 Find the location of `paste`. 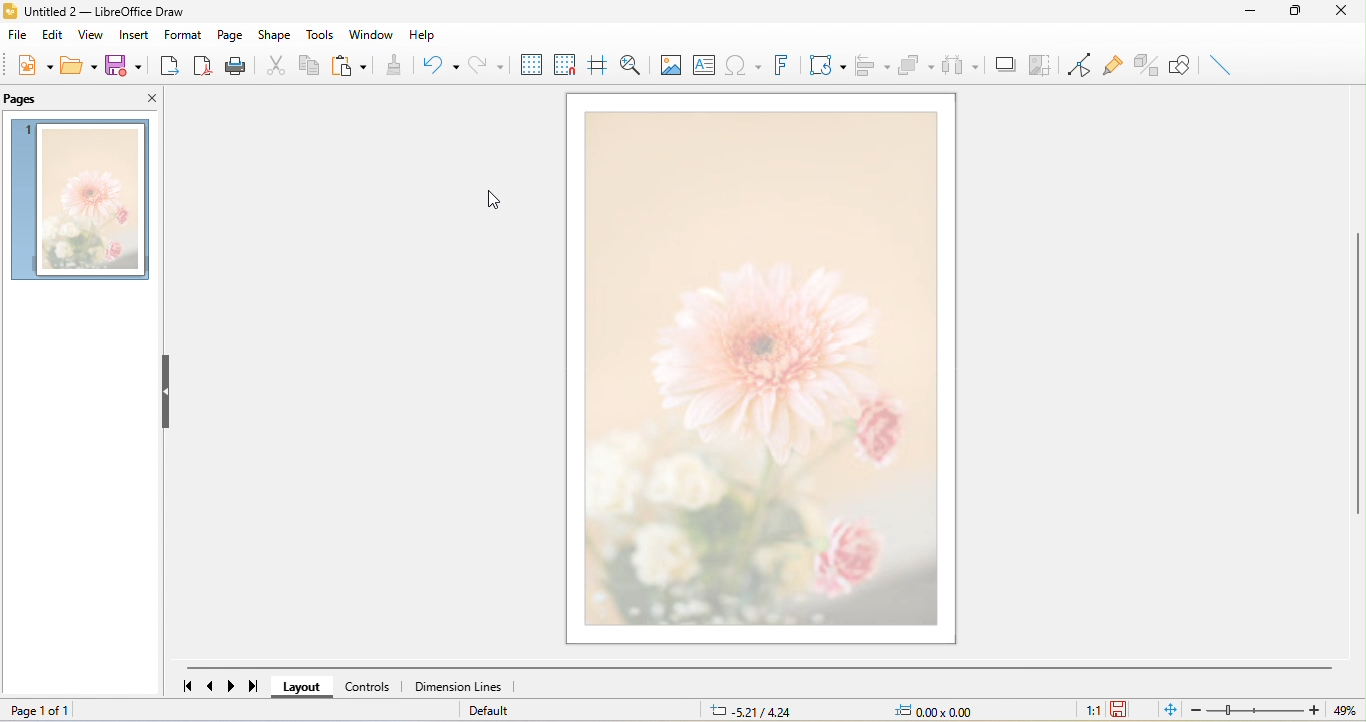

paste is located at coordinates (349, 65).